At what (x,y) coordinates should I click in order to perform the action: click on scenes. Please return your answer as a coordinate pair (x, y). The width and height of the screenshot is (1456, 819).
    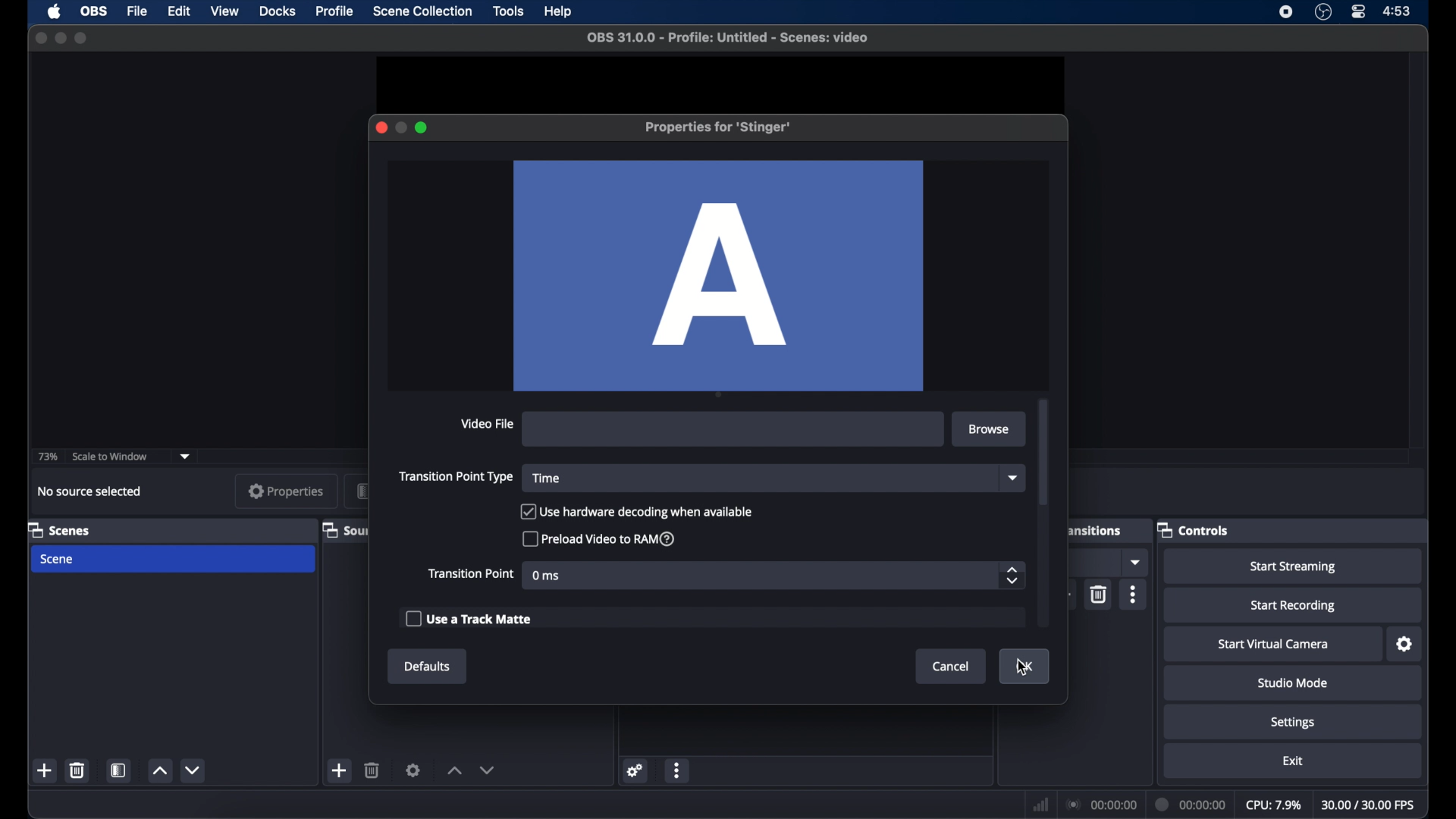
    Looking at the image, I should click on (59, 529).